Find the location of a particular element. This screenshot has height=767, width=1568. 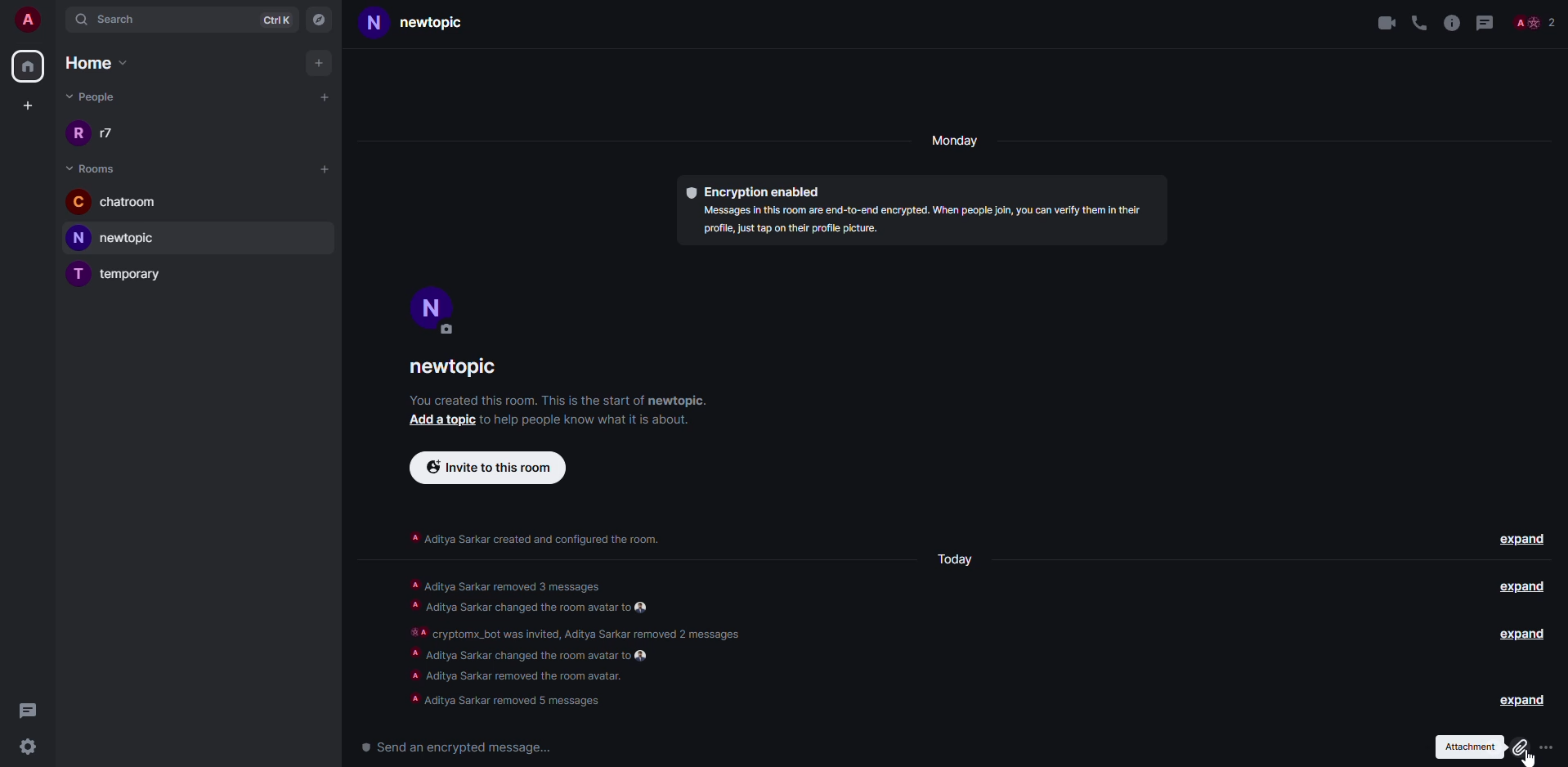

home is located at coordinates (101, 61).